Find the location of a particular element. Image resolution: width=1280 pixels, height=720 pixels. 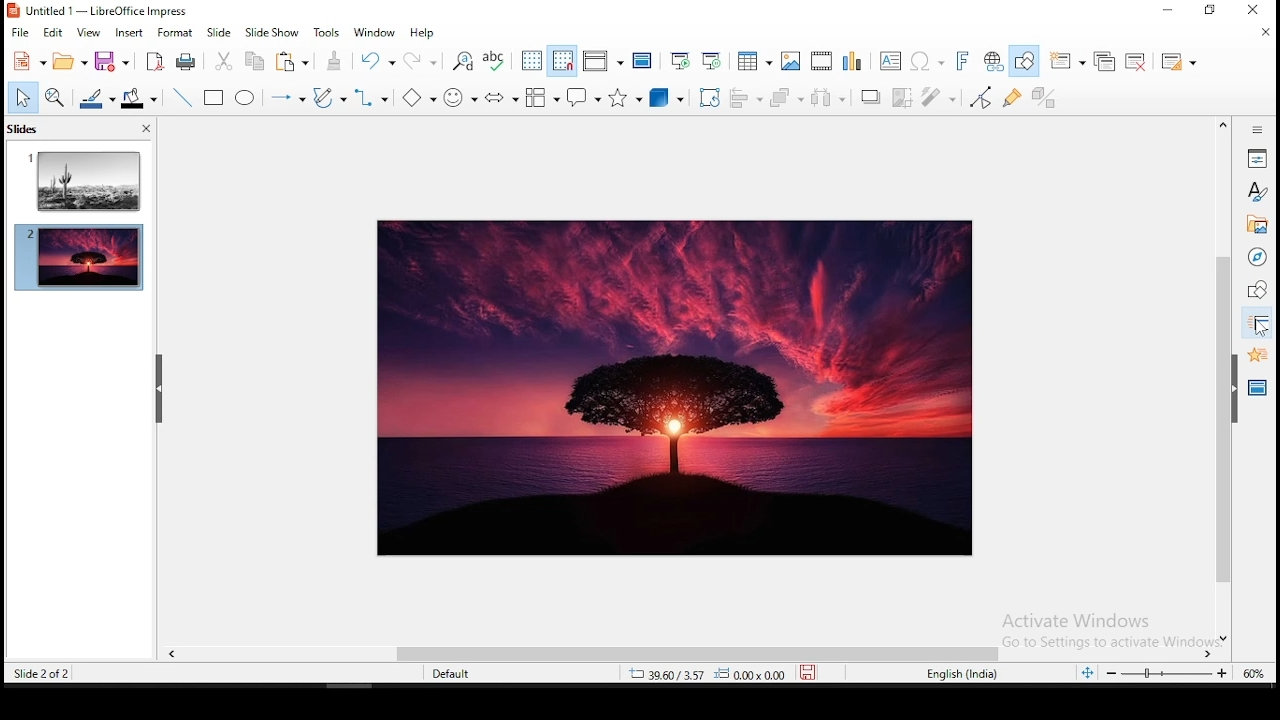

crop tool is located at coordinates (709, 97).